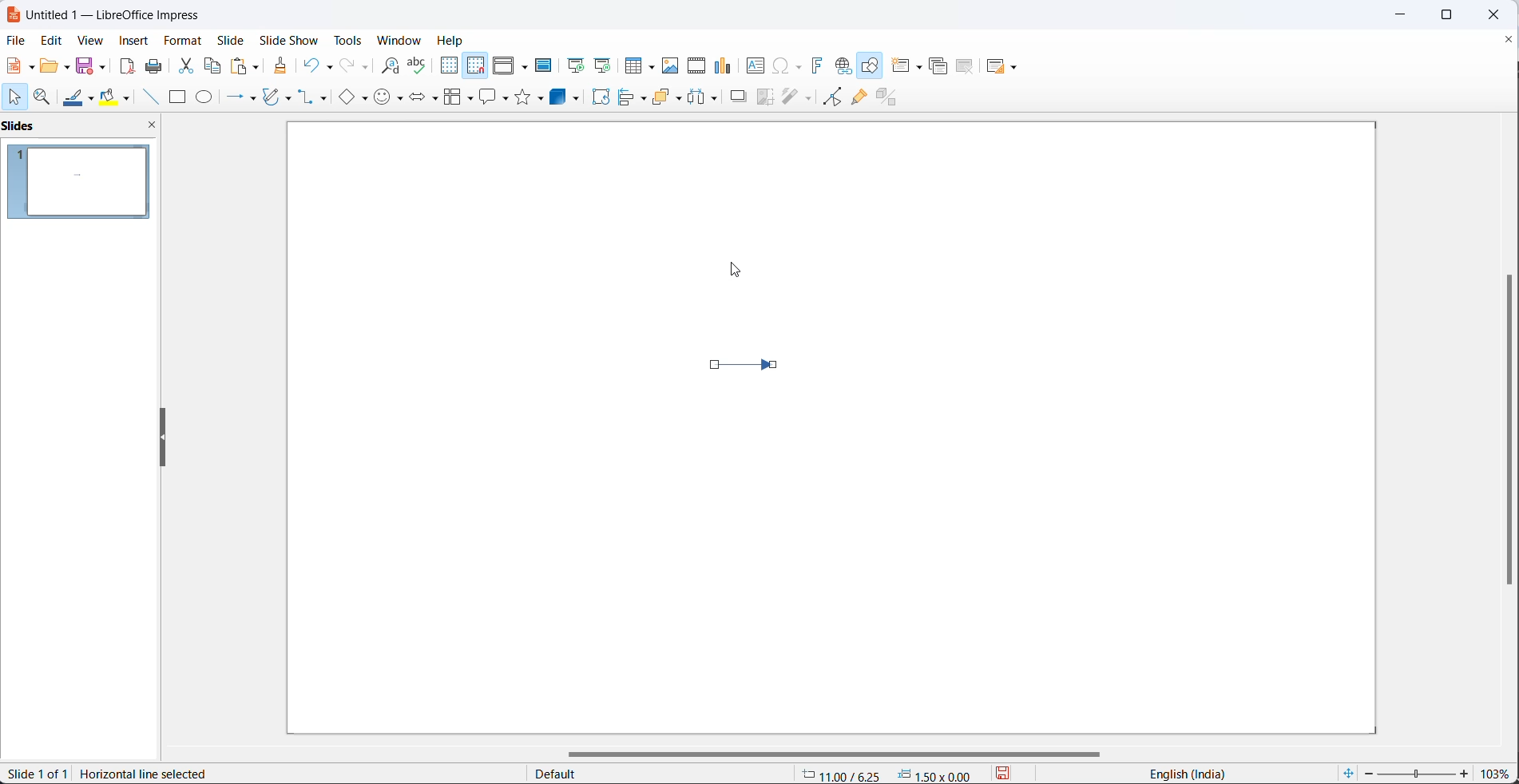 This screenshot has height=784, width=1519. I want to click on print, so click(154, 65).